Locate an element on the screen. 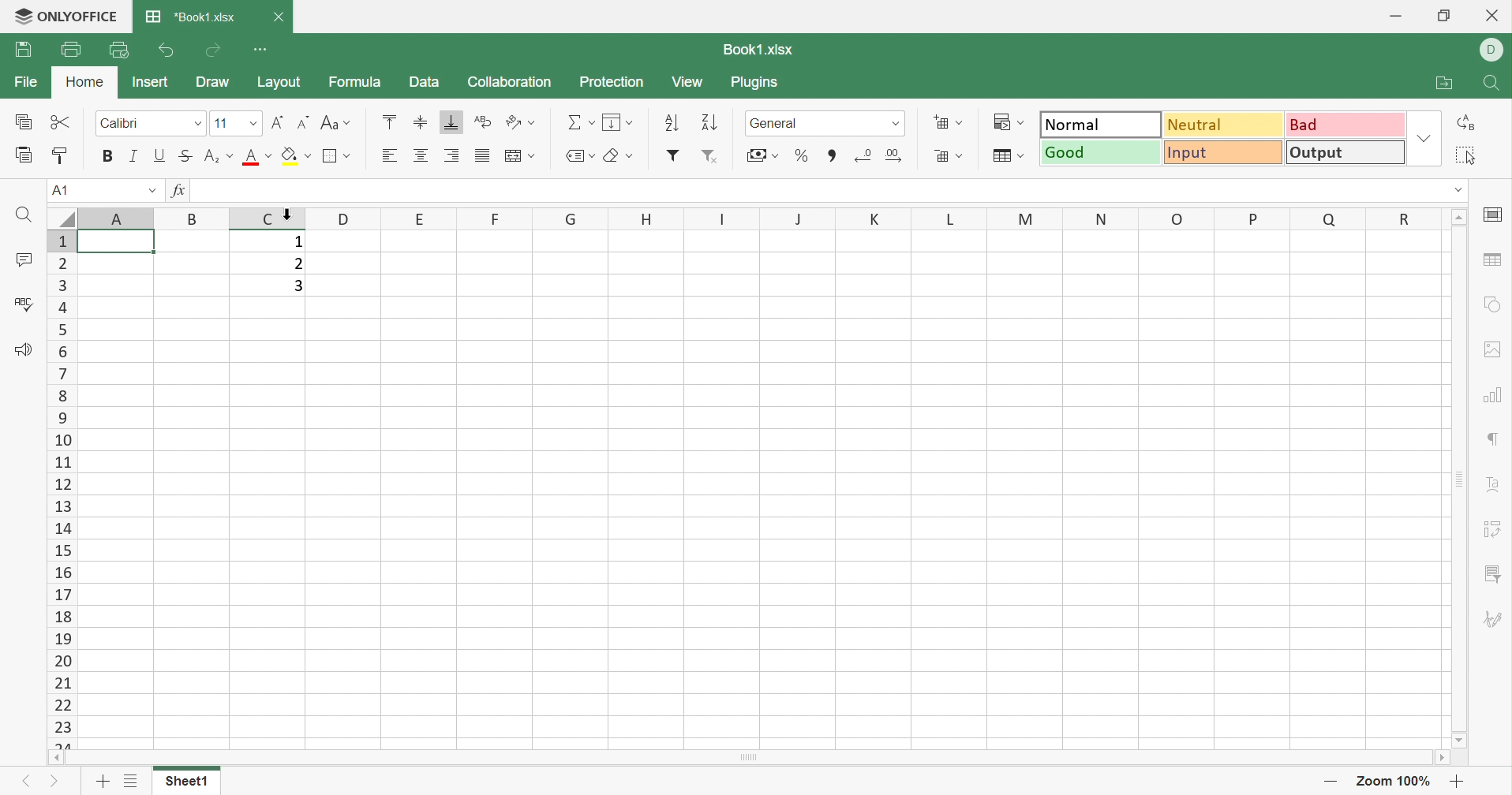 Image resolution: width=1512 pixels, height=795 pixels. Chart settings is located at coordinates (1494, 394).